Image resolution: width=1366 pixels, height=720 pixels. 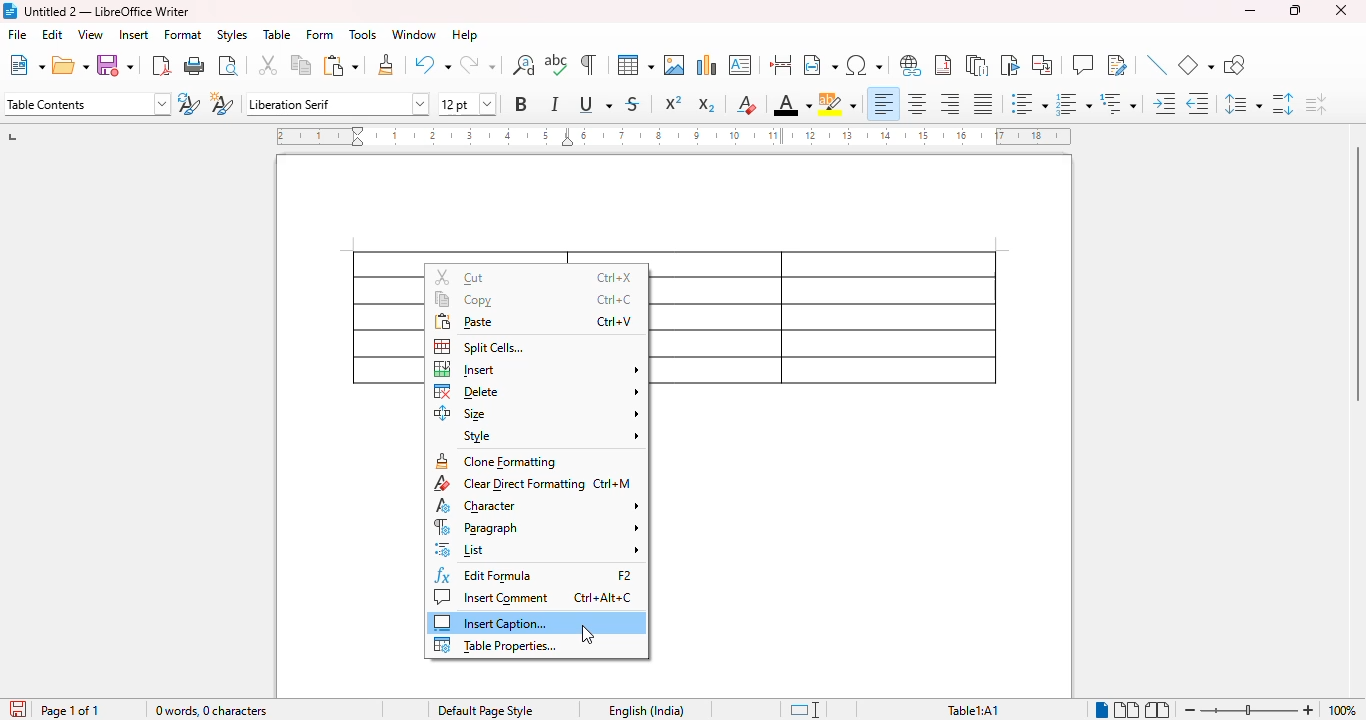 What do you see at coordinates (984, 104) in the screenshot?
I see `justified` at bounding box center [984, 104].